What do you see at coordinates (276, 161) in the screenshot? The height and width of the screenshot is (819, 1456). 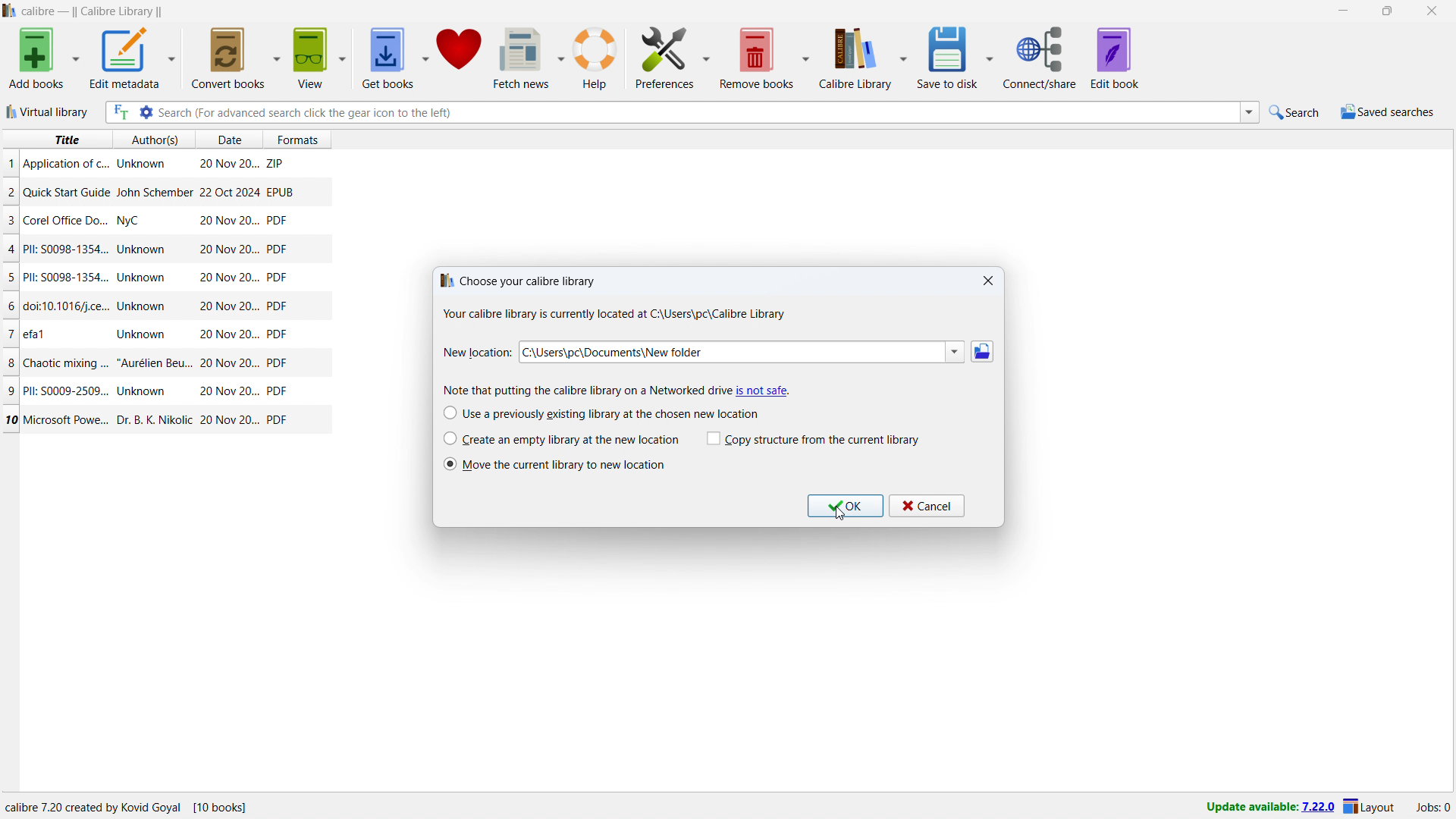 I see `ZIP` at bounding box center [276, 161].